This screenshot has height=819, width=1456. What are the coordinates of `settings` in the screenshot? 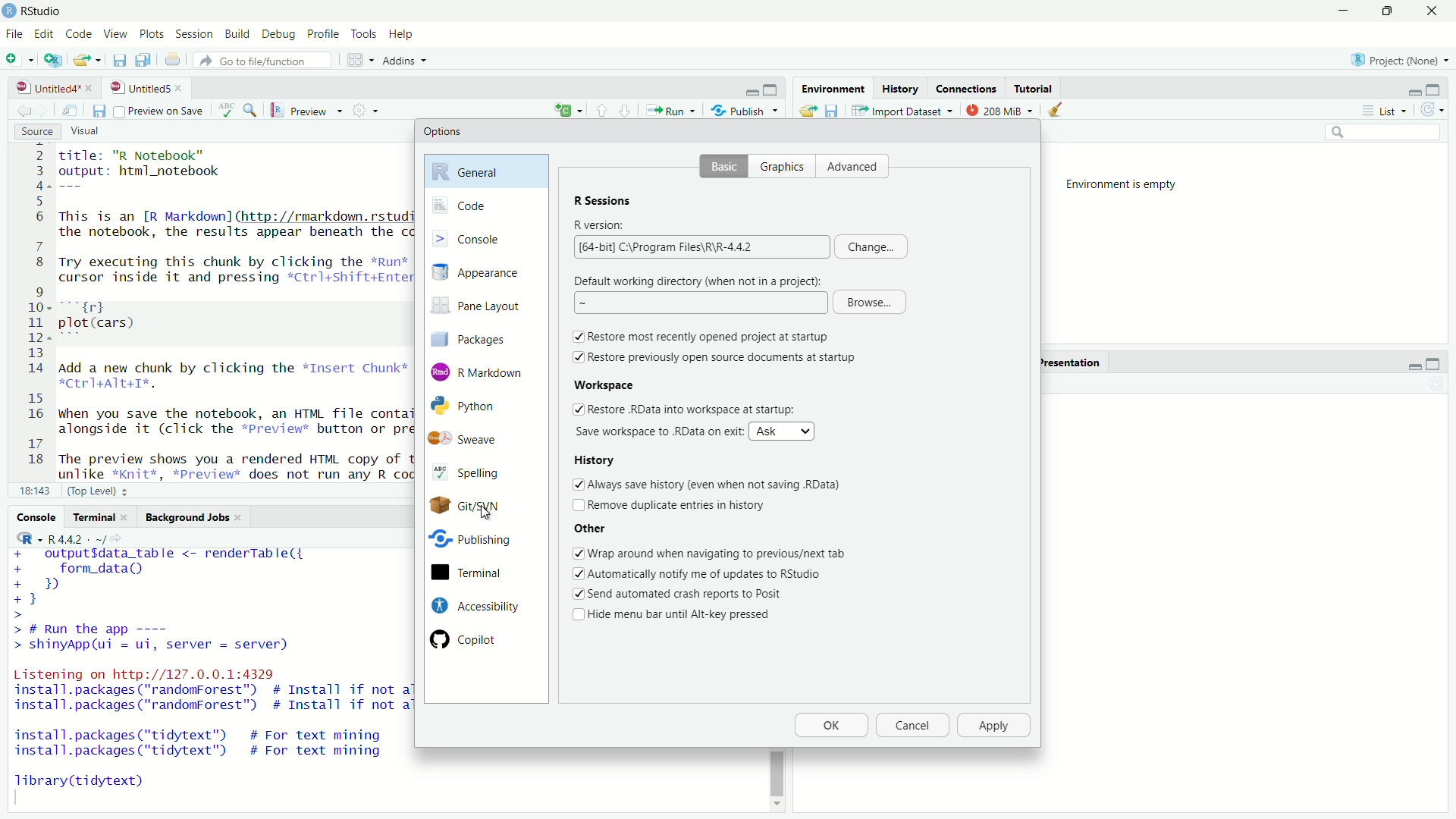 It's located at (369, 110).